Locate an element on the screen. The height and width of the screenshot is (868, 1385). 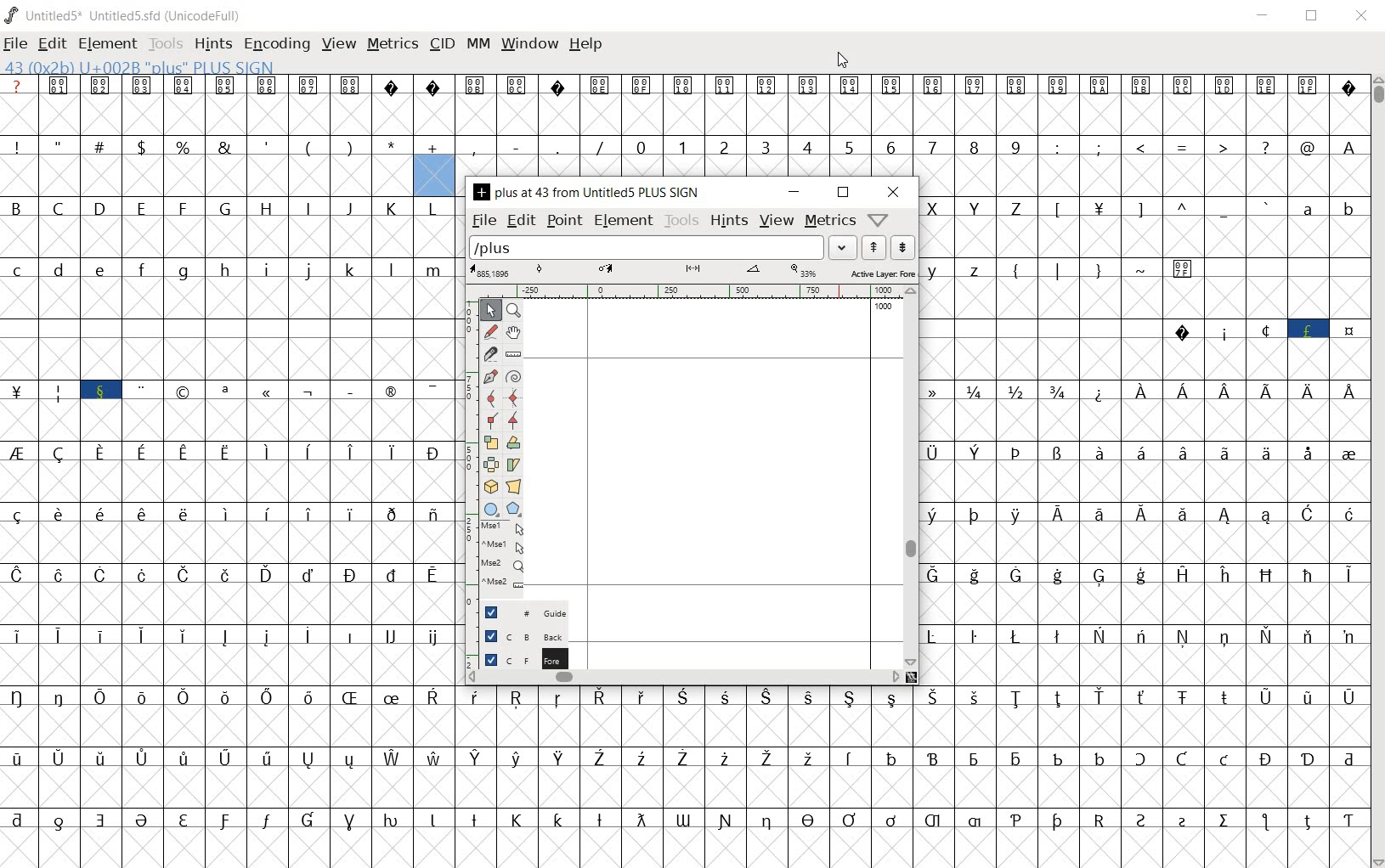
rotate the selection in 3D and project back to plane is located at coordinates (491, 486).